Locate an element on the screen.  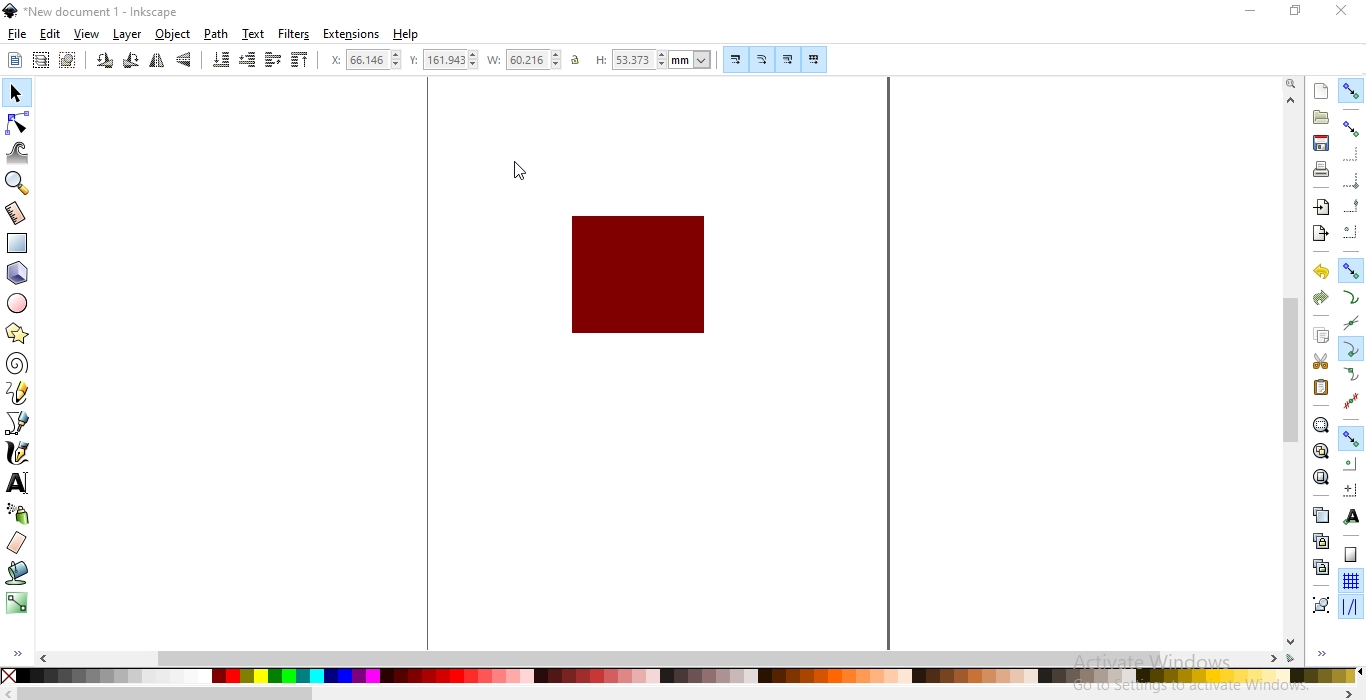
zoom to fit page is located at coordinates (1320, 477).